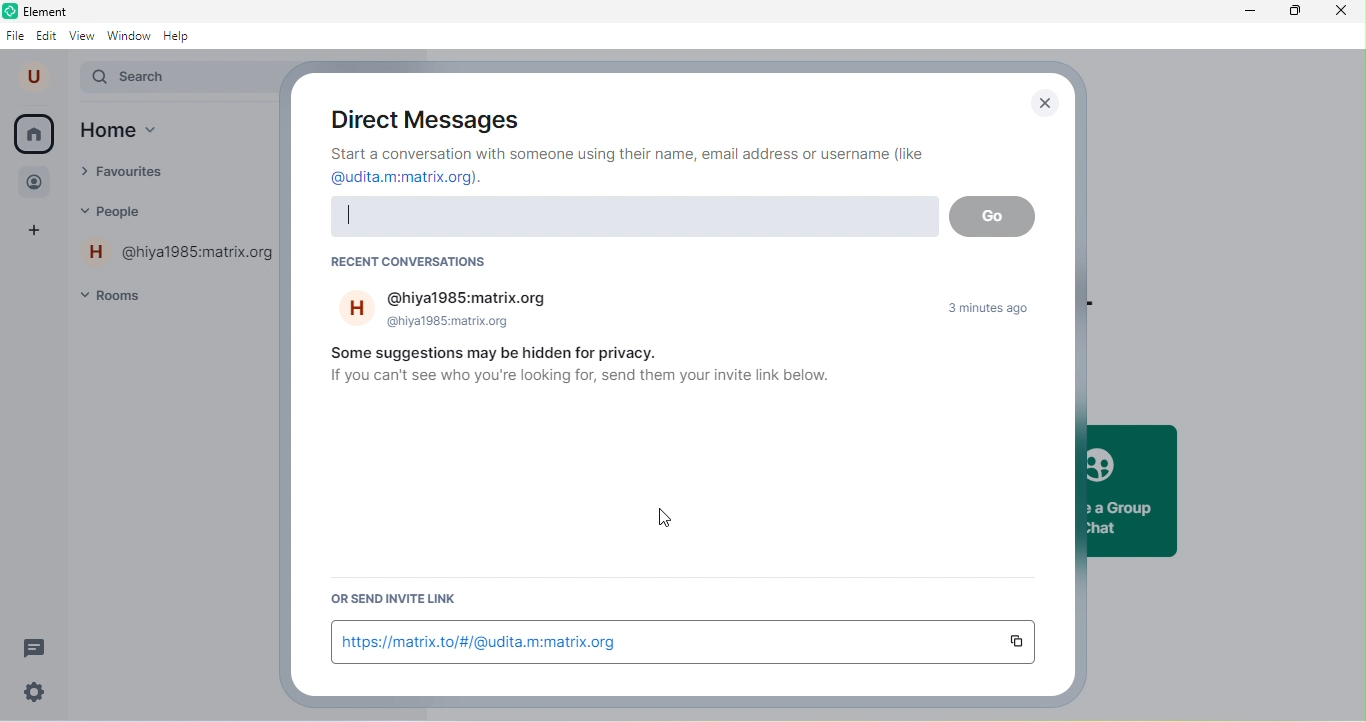 Image resolution: width=1366 pixels, height=722 pixels. Describe the element at coordinates (633, 153) in the screenshot. I see `start a conversation with someone using their name, email address or username ` at that location.